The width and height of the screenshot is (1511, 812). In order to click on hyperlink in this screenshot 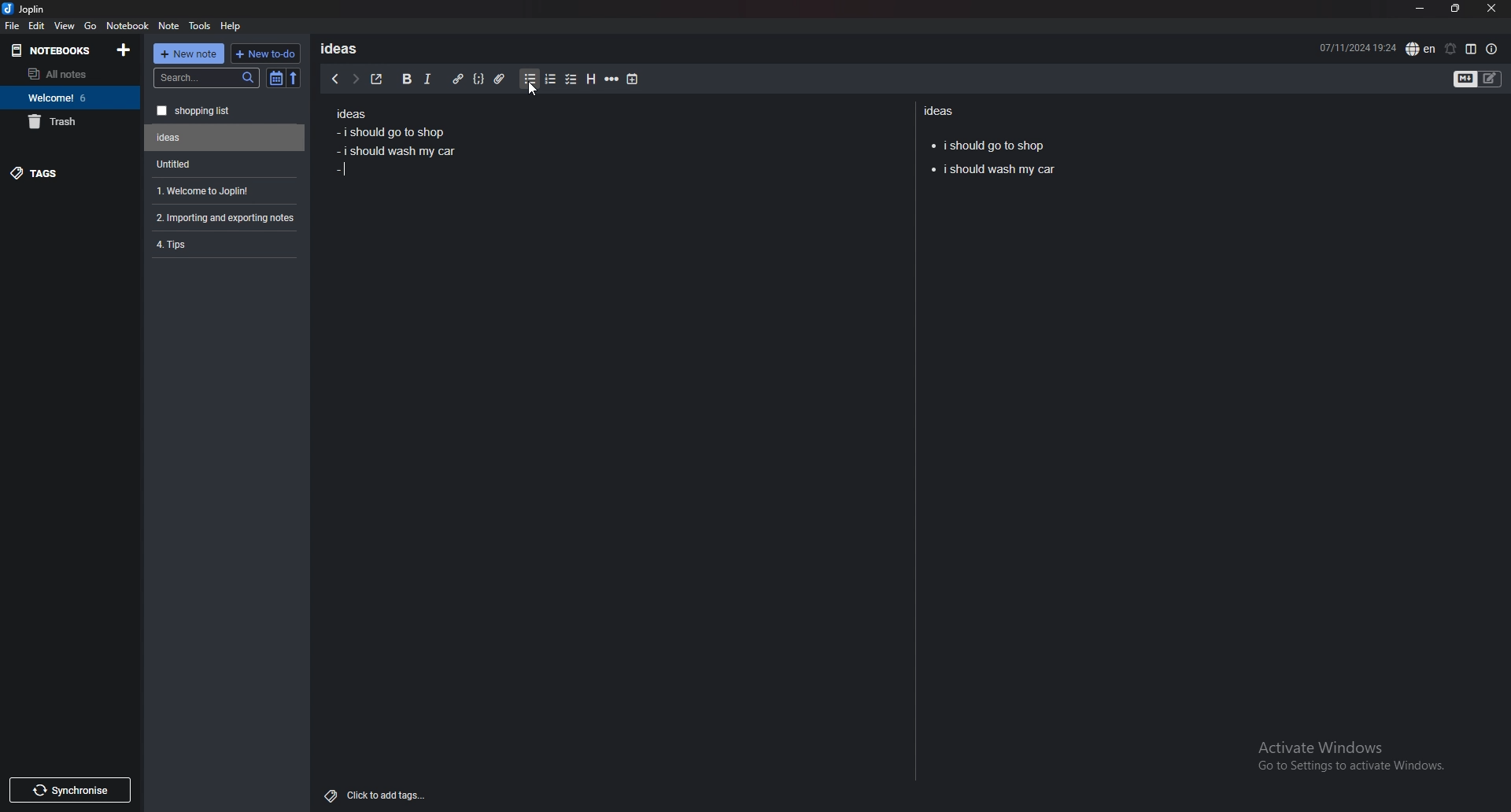, I will do `click(457, 79)`.